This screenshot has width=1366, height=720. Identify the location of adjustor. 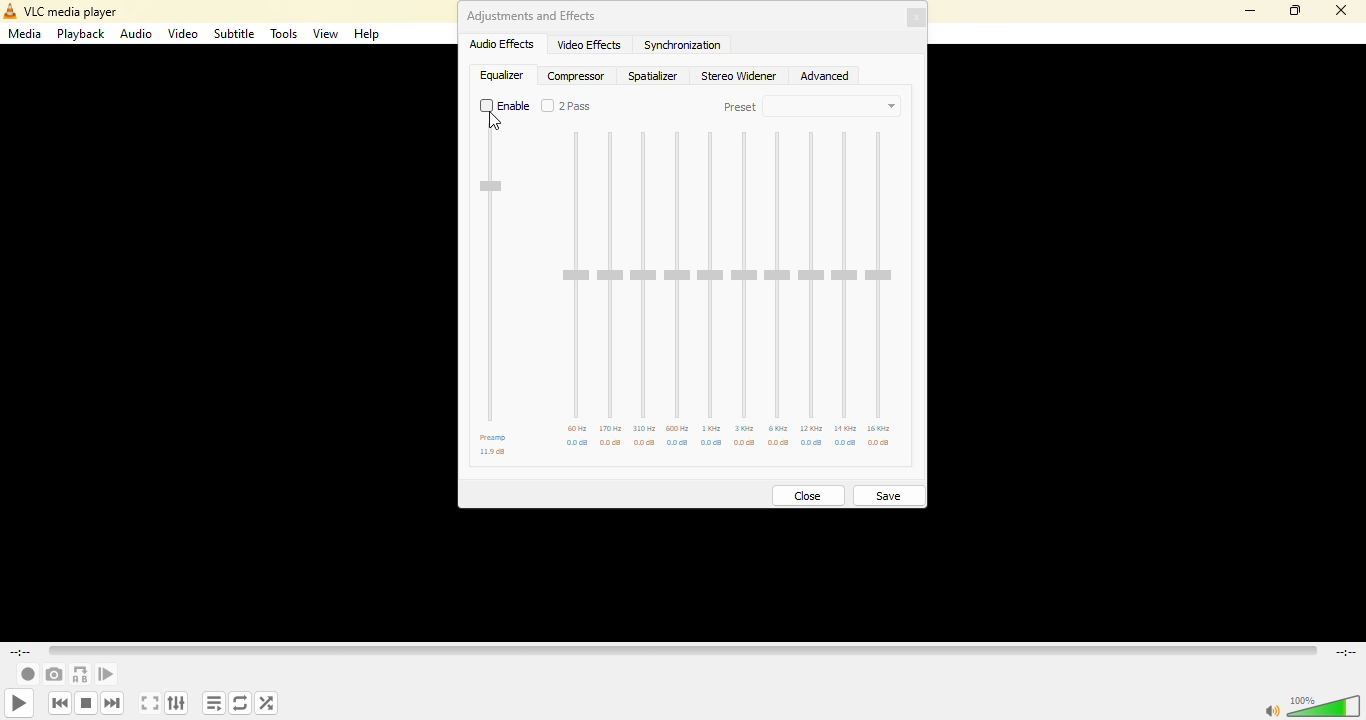
(777, 275).